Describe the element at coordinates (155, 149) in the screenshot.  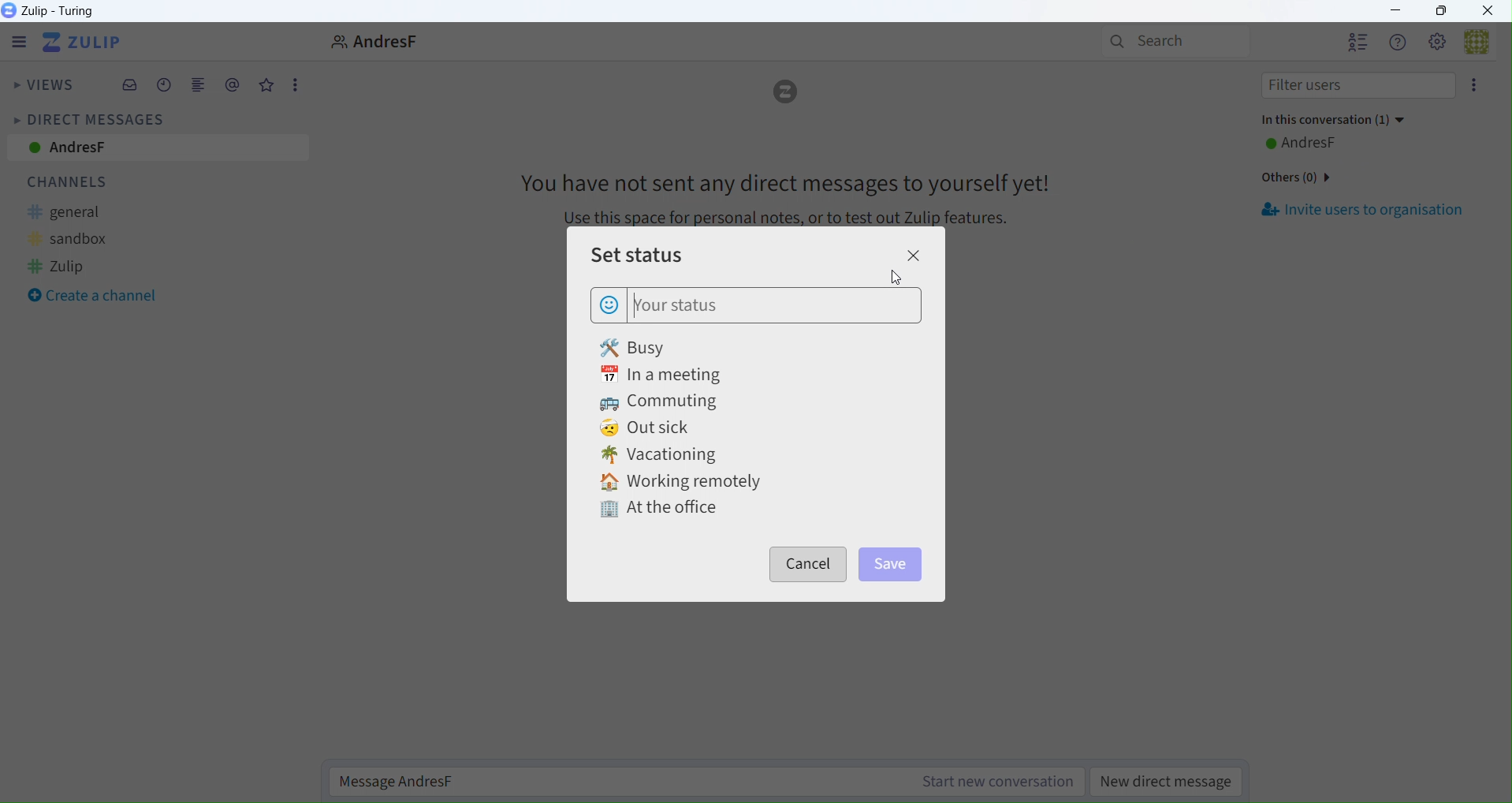
I see `AndresF` at that location.